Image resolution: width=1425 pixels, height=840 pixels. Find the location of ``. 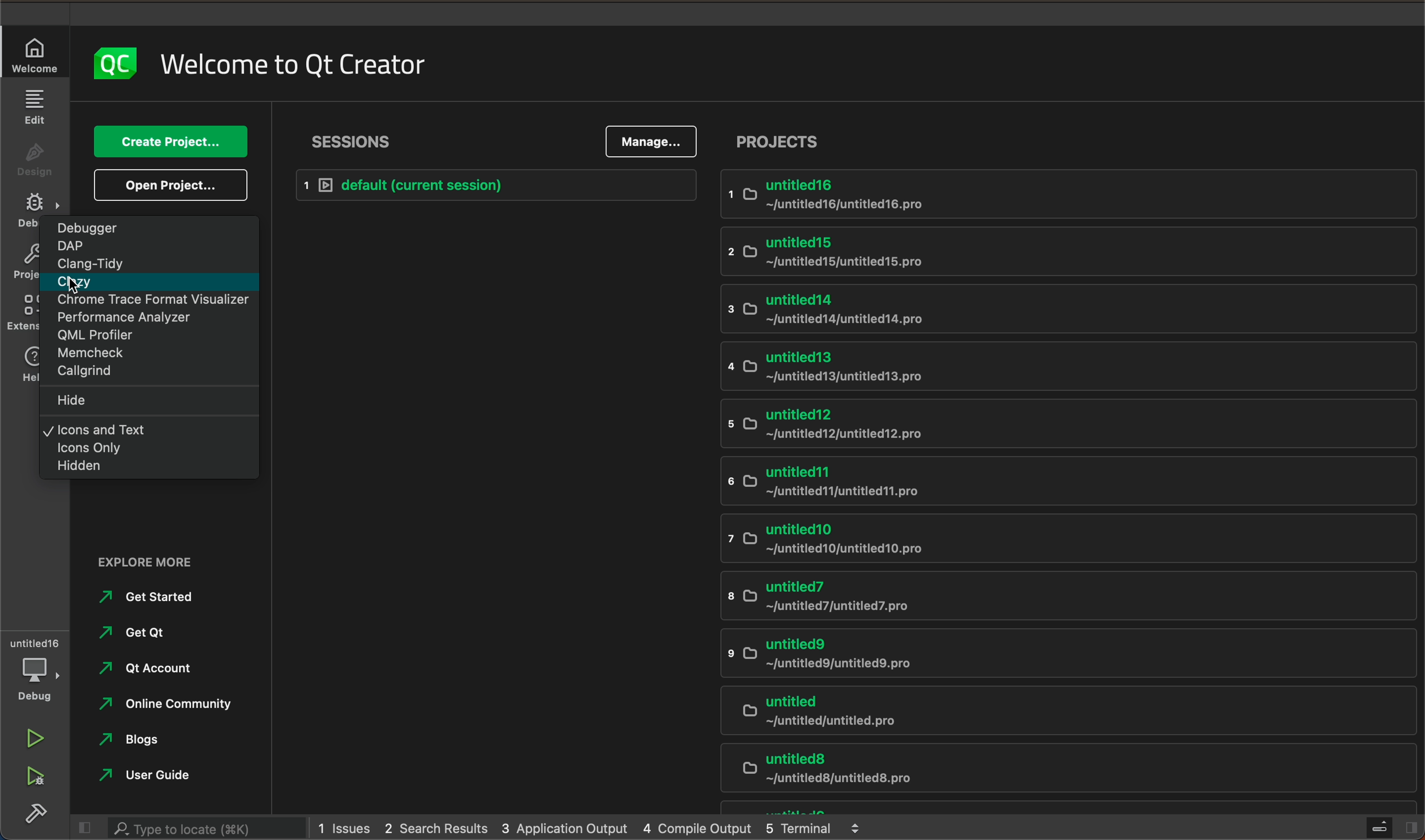

 is located at coordinates (24, 263).